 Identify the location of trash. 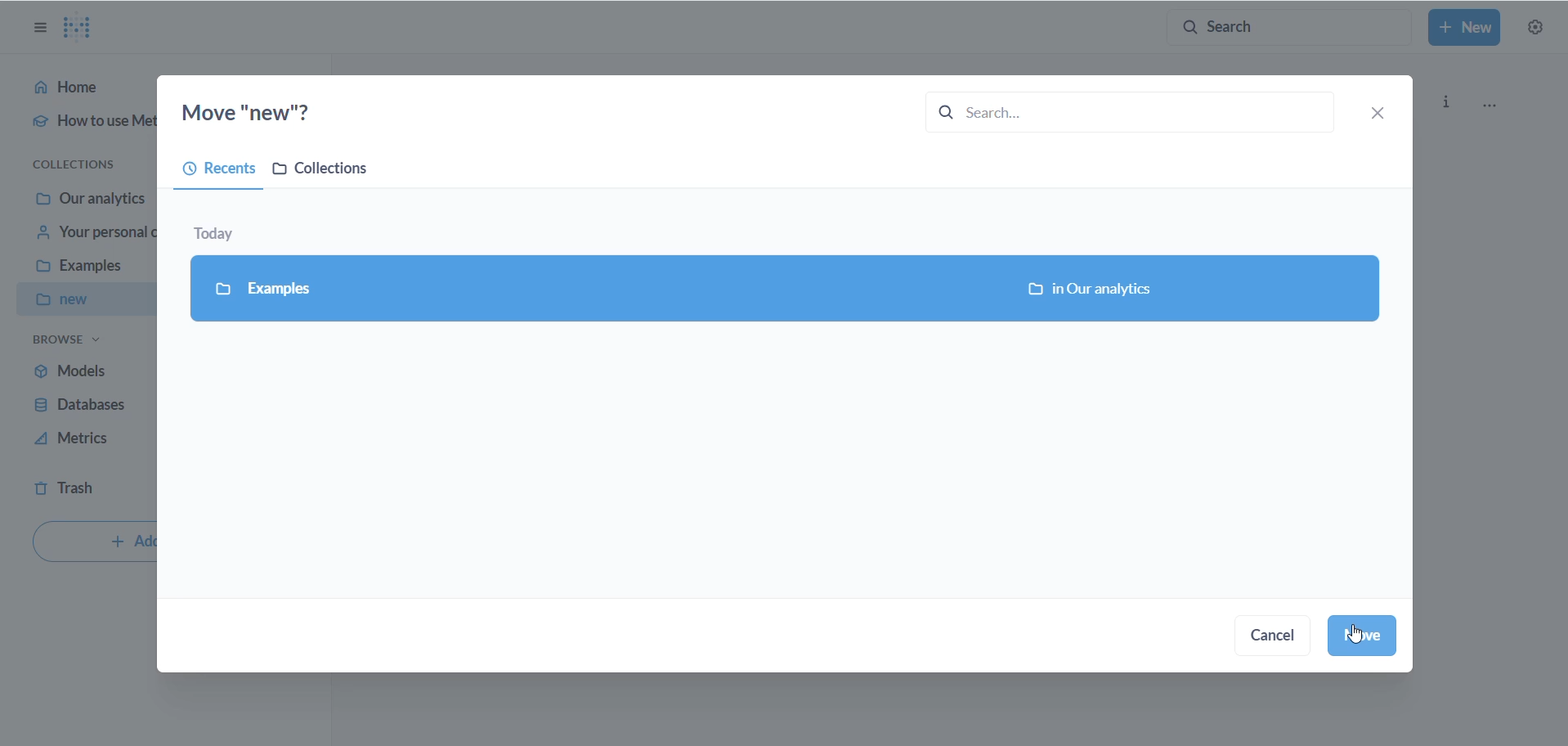
(80, 490).